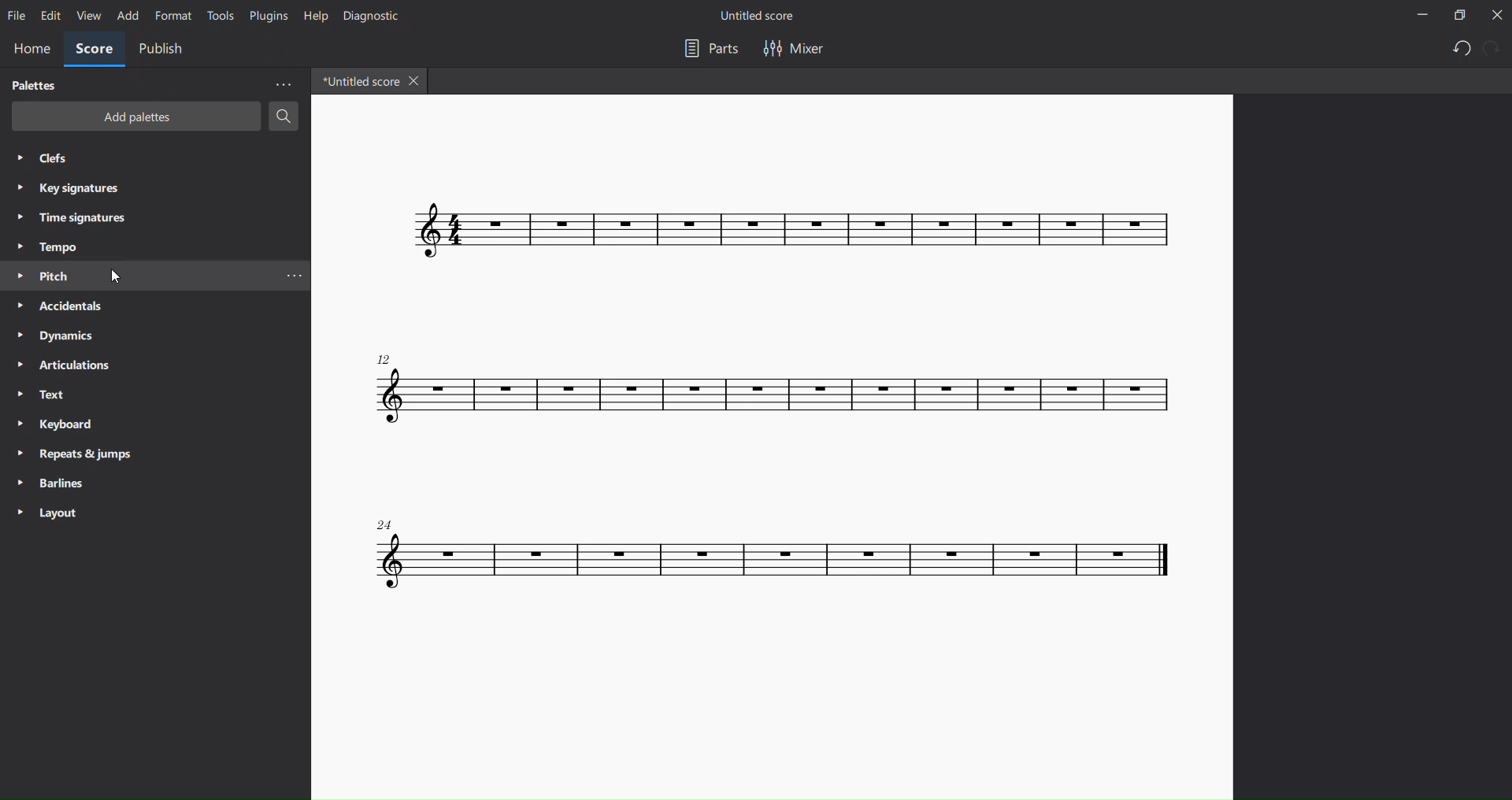  I want to click on format, so click(172, 15).